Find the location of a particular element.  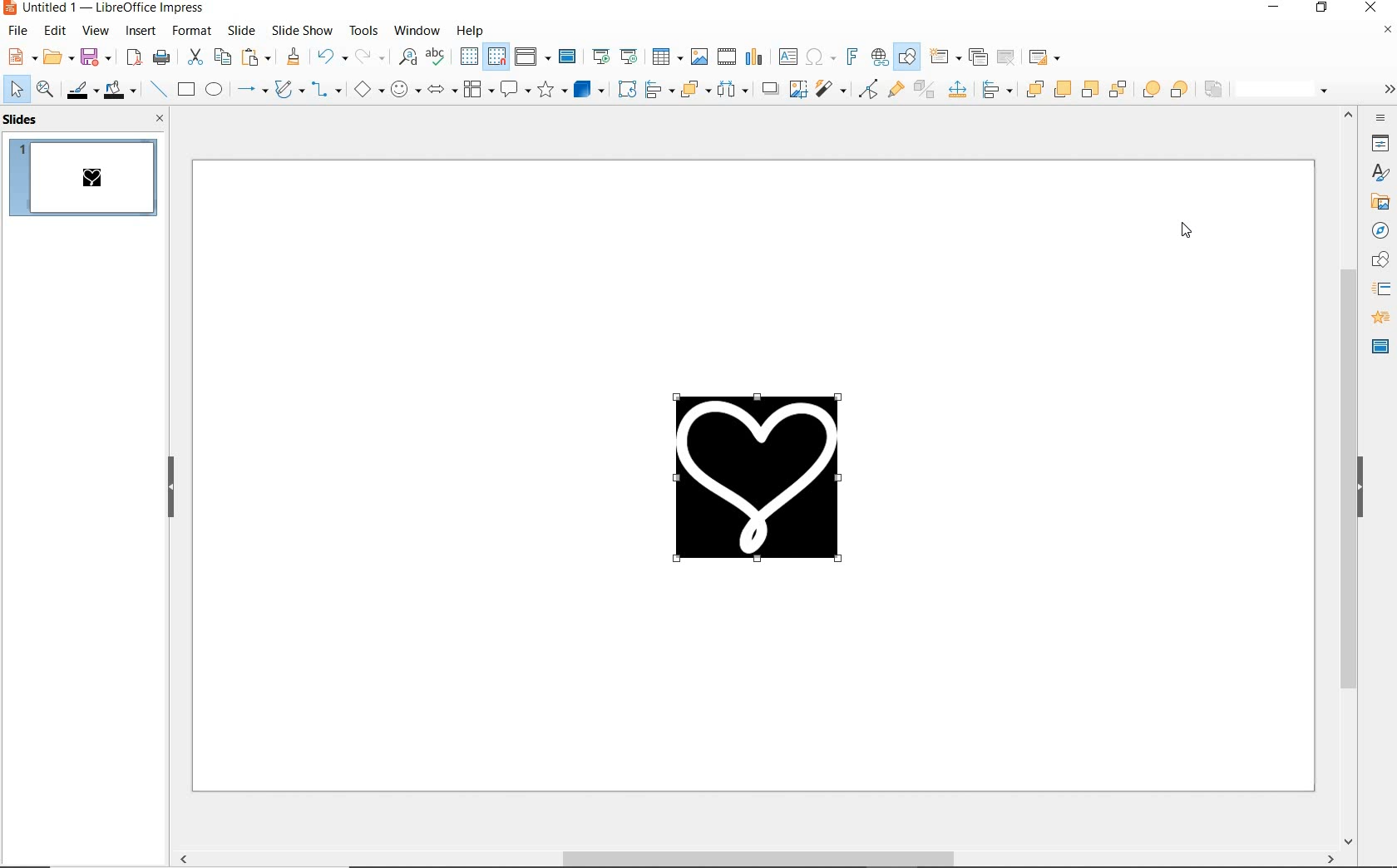

shadow is located at coordinates (769, 86).